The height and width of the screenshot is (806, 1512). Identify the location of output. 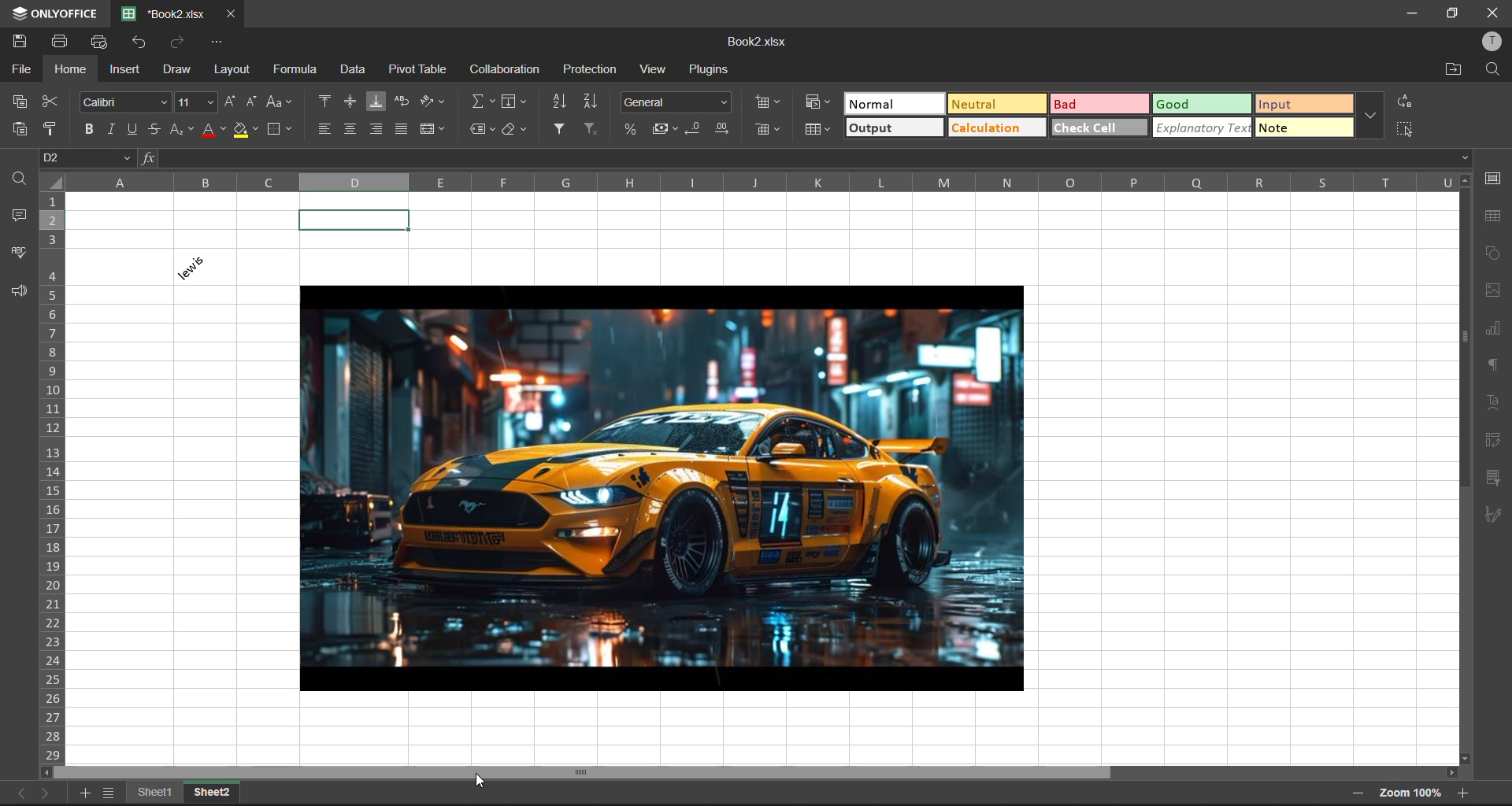
(895, 128).